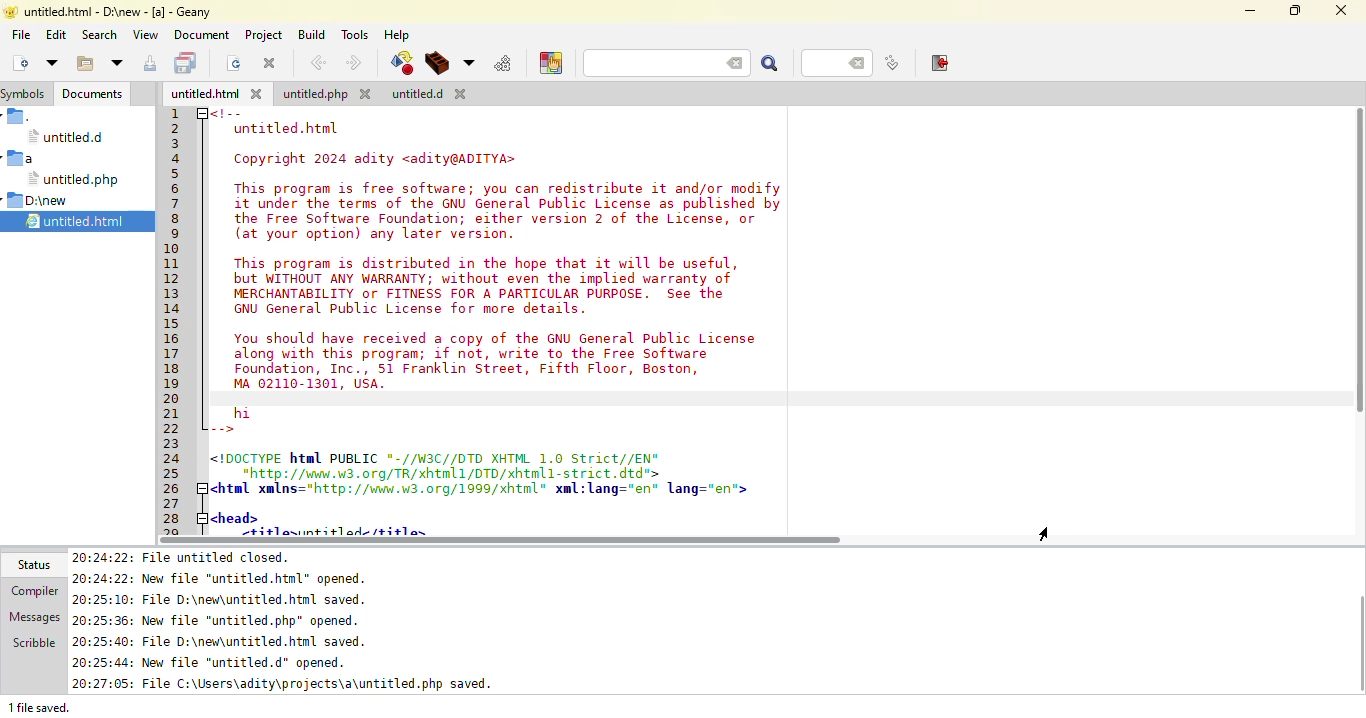 Image resolution: width=1366 pixels, height=718 pixels. What do you see at coordinates (1067, 533) in the screenshot?
I see `cursor` at bounding box center [1067, 533].